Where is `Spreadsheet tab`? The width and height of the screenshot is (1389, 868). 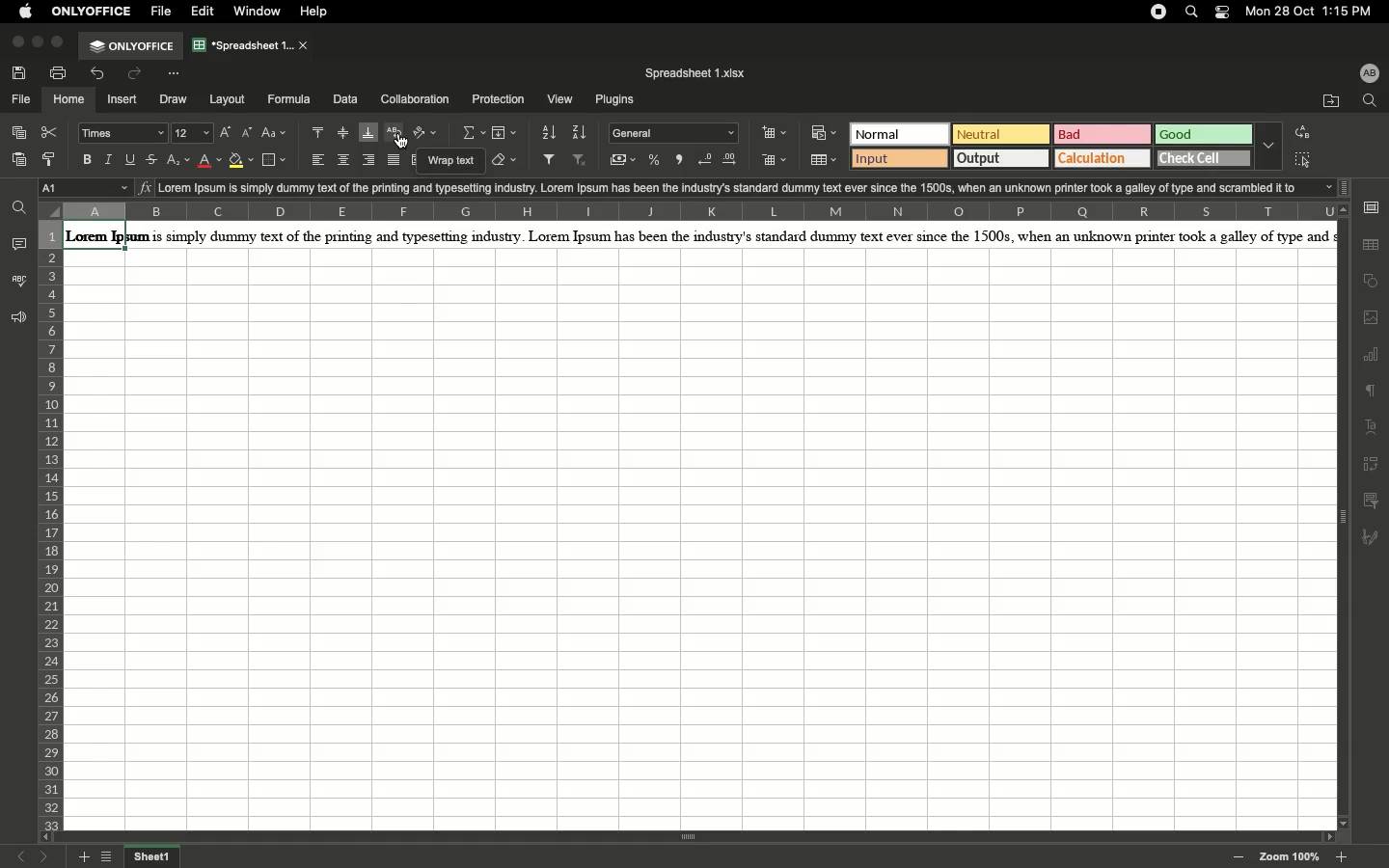
Spreadsheet tab is located at coordinates (252, 44).